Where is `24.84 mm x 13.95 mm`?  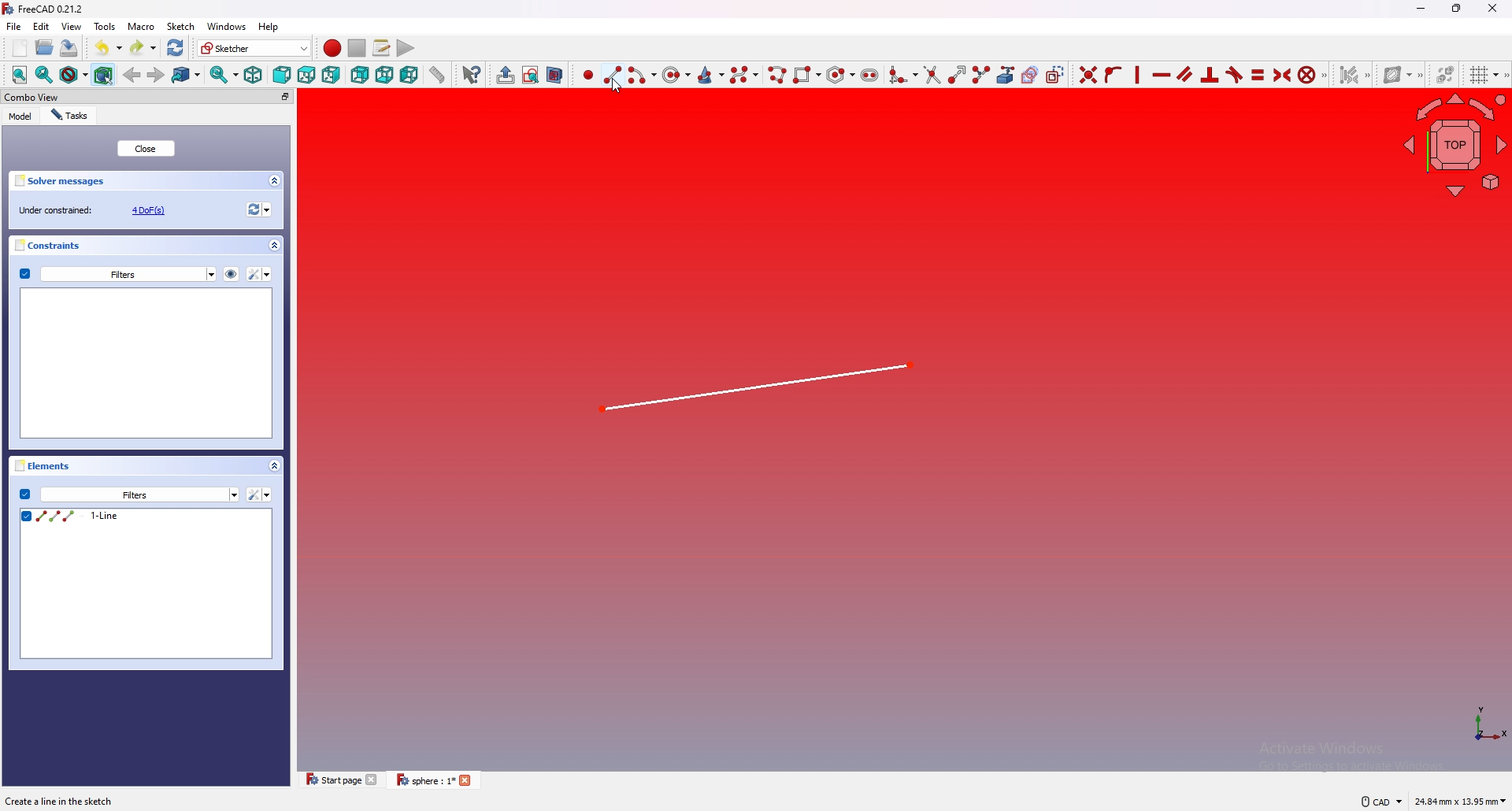
24.84 mm x 13.95 mm is located at coordinates (1460, 801).